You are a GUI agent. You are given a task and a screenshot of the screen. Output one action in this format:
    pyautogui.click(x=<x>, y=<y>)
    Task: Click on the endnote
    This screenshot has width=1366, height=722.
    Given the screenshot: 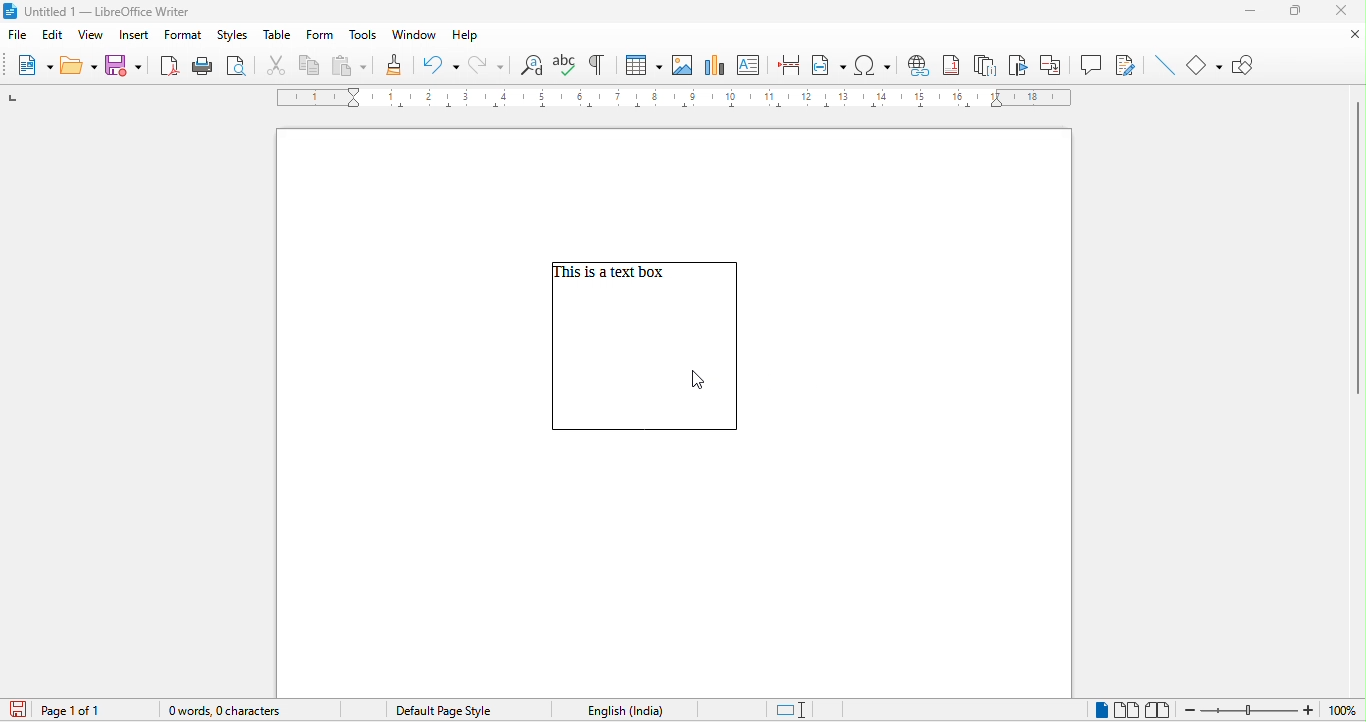 What is the action you would take?
    pyautogui.click(x=986, y=64)
    